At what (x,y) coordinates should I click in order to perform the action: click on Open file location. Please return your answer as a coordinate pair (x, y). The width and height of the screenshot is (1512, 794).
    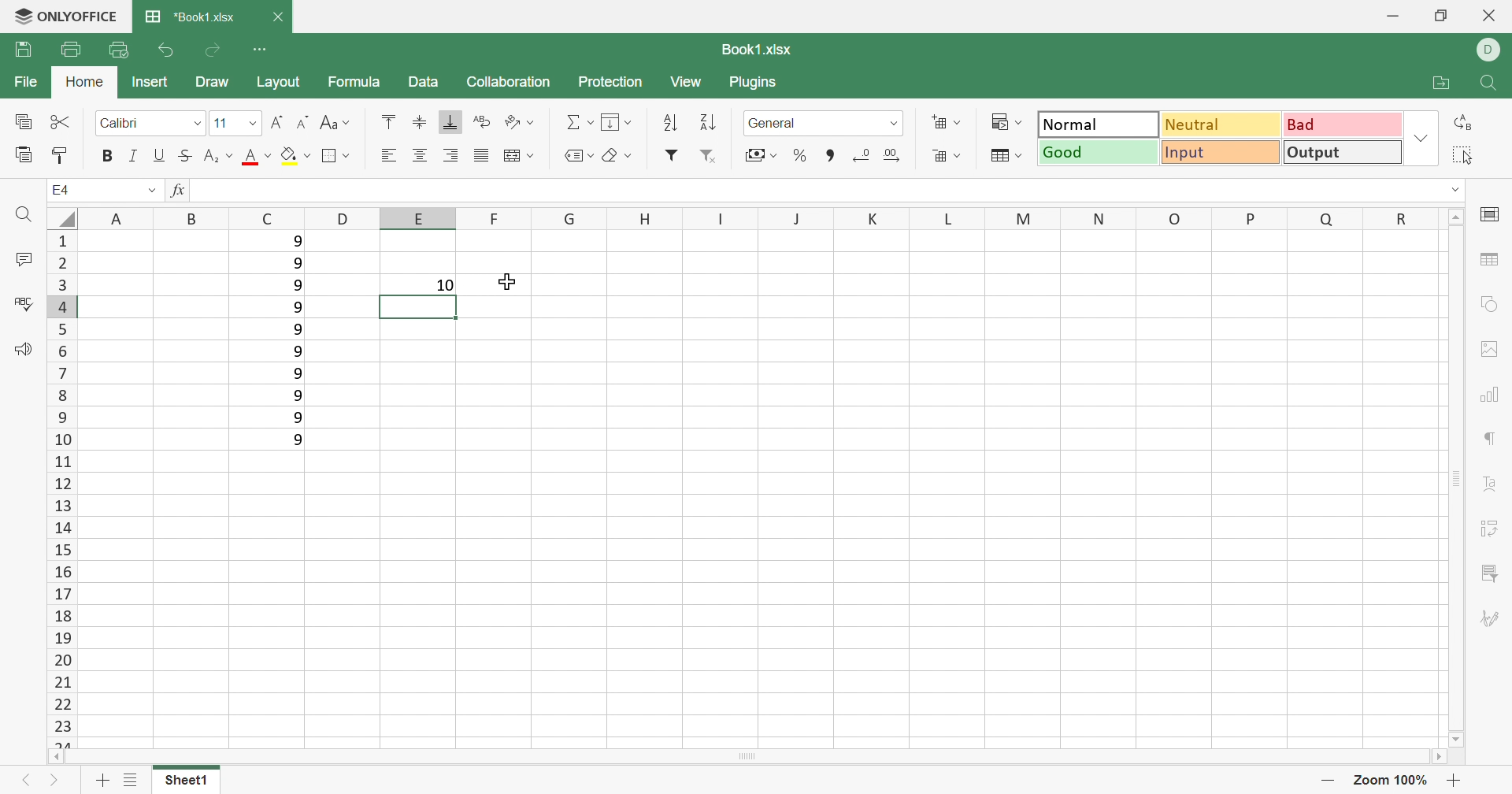
    Looking at the image, I should click on (1447, 84).